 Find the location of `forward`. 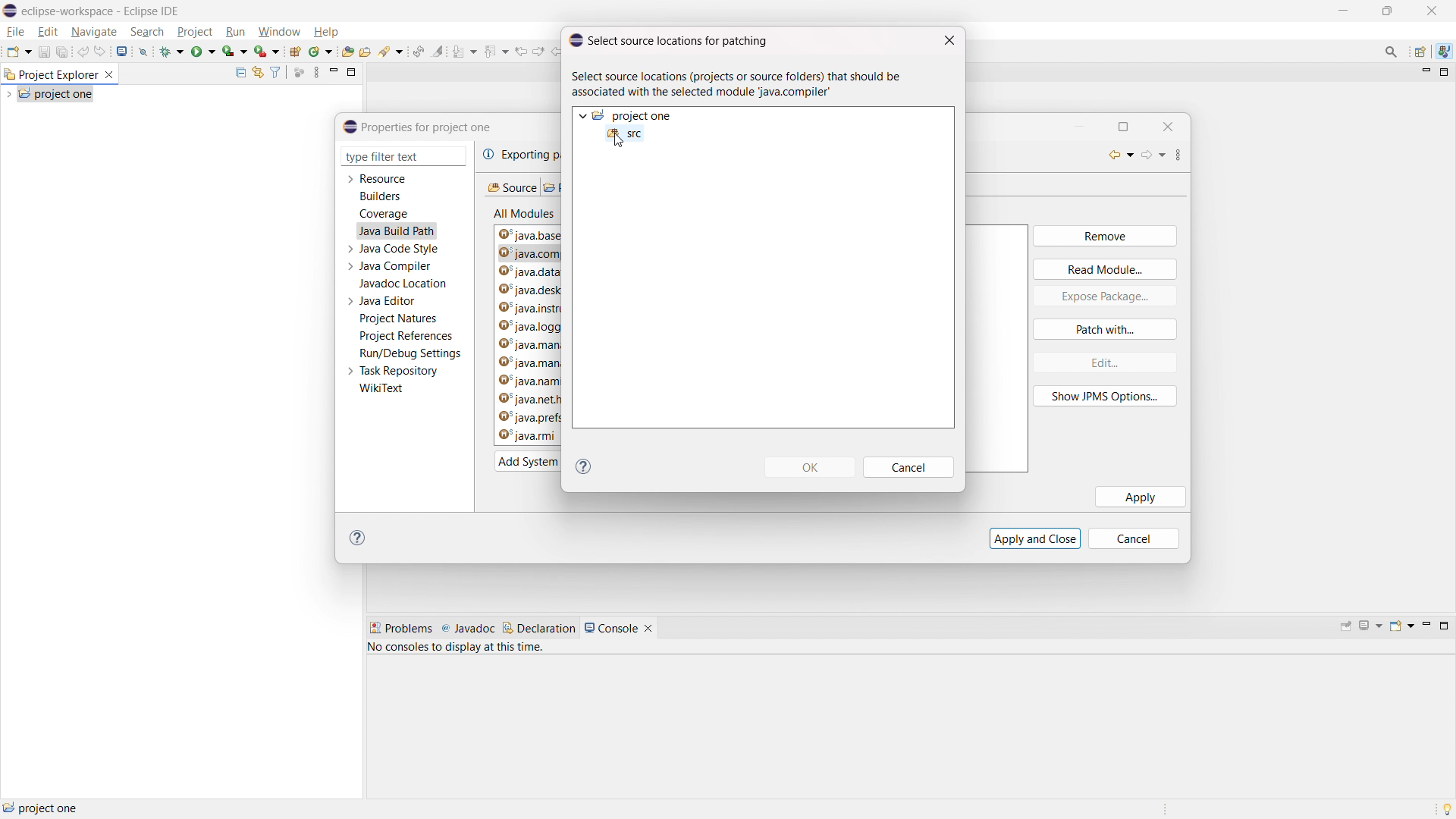

forward is located at coordinates (1154, 157).